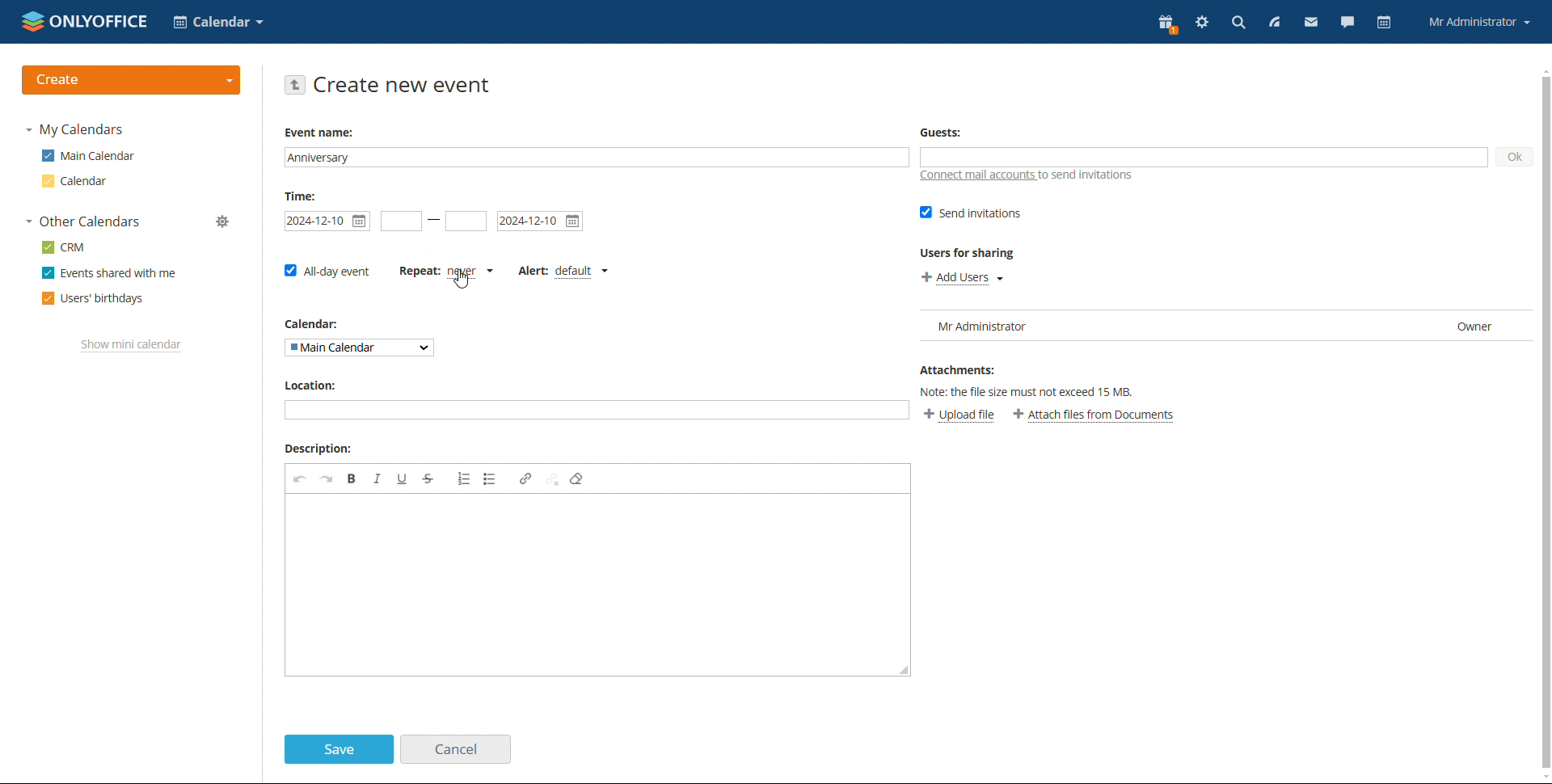 This screenshot has width=1552, height=784. Describe the element at coordinates (936, 129) in the screenshot. I see `Guests:` at that location.